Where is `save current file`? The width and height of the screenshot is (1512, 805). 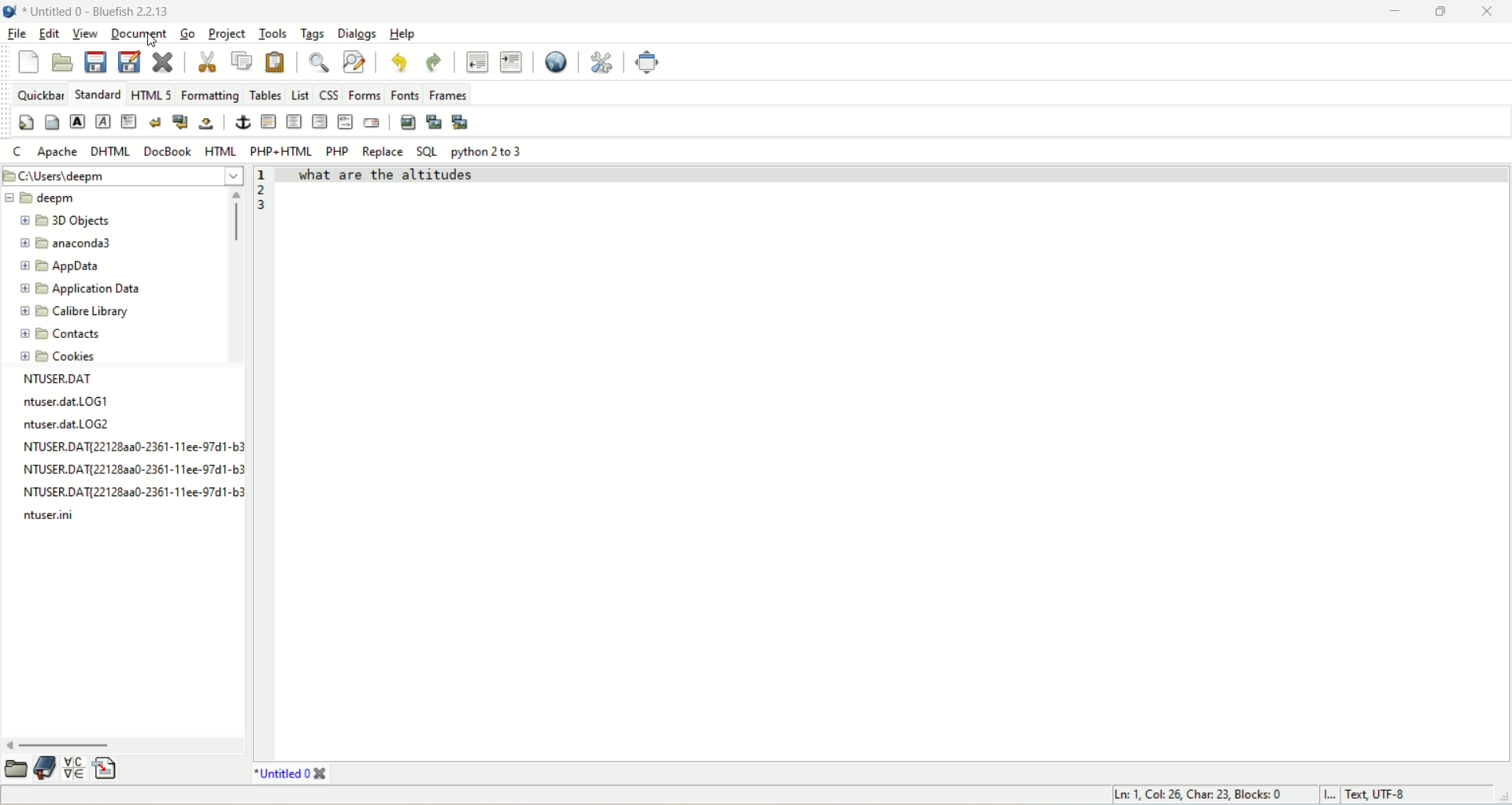
save current file is located at coordinates (97, 61).